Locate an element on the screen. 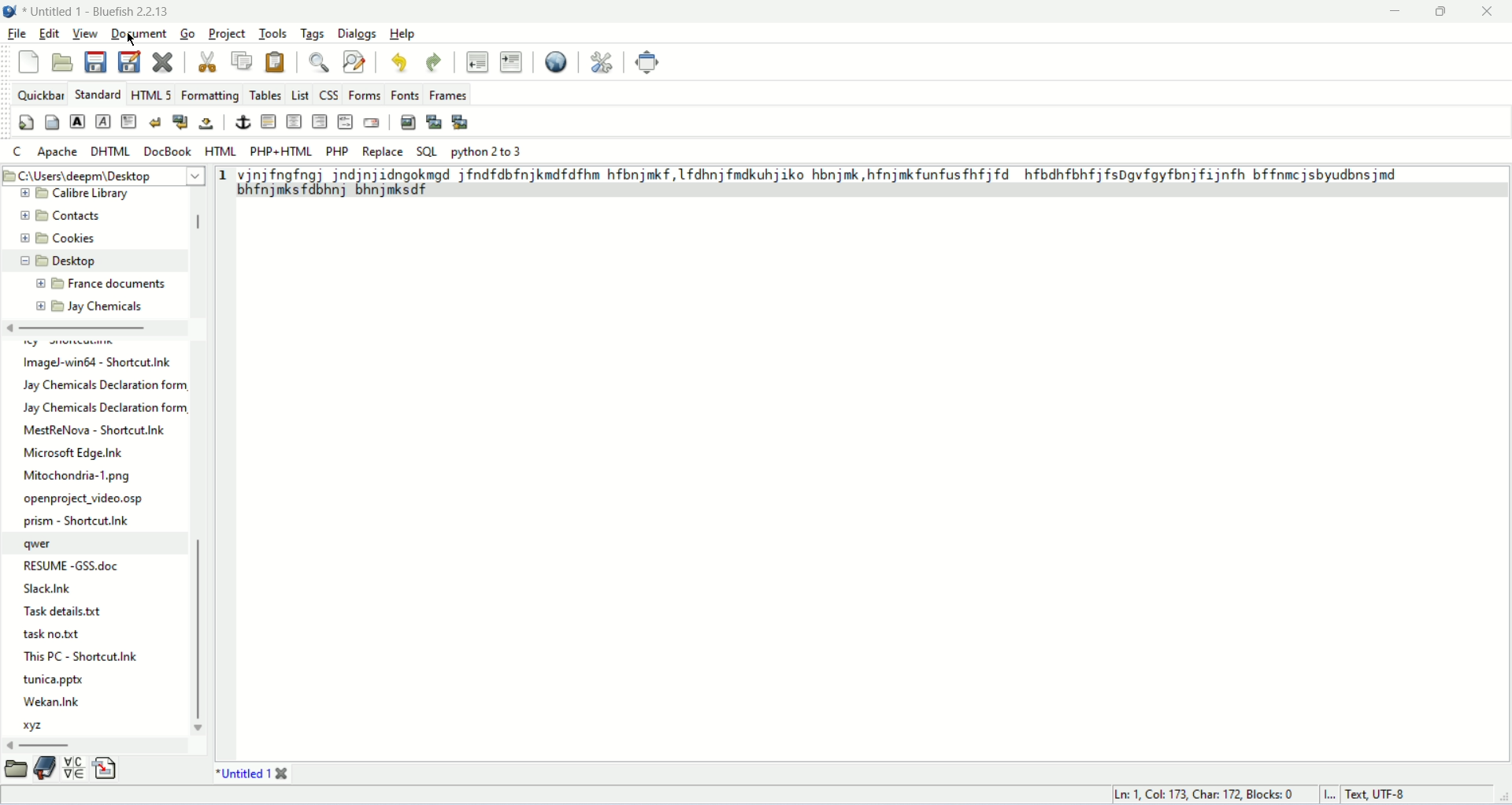  List is located at coordinates (298, 94).